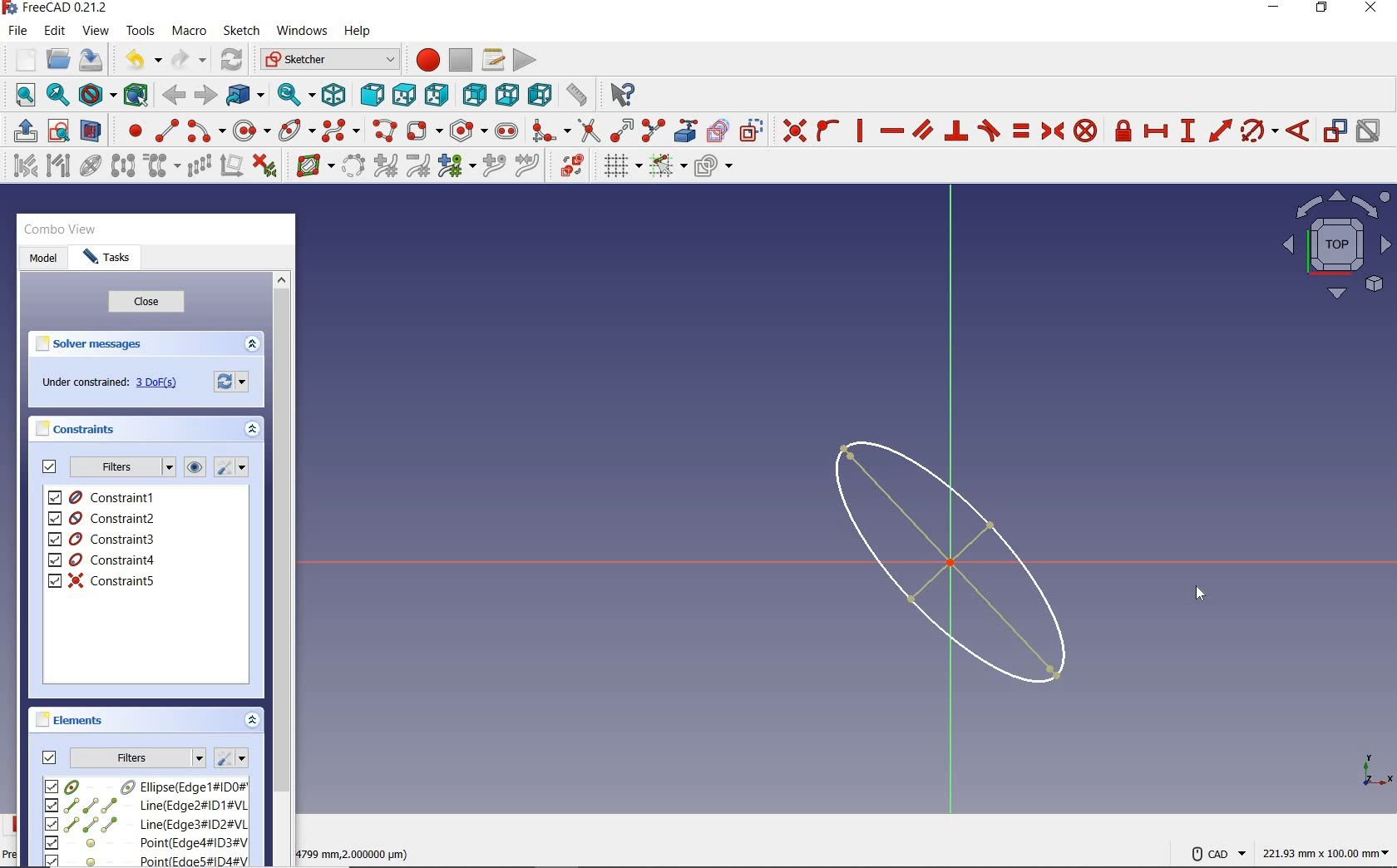 The height and width of the screenshot is (868, 1397). I want to click on create polyline, so click(383, 131).